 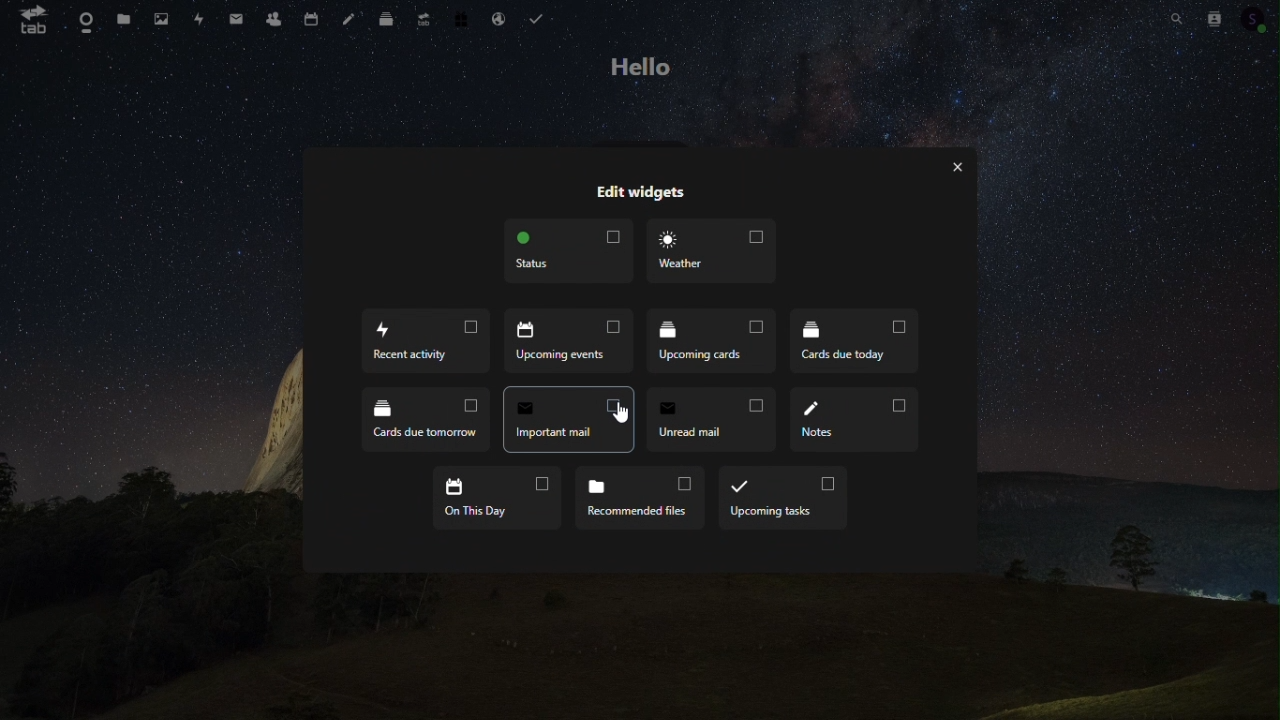 What do you see at coordinates (495, 18) in the screenshot?
I see `Email hosting` at bounding box center [495, 18].